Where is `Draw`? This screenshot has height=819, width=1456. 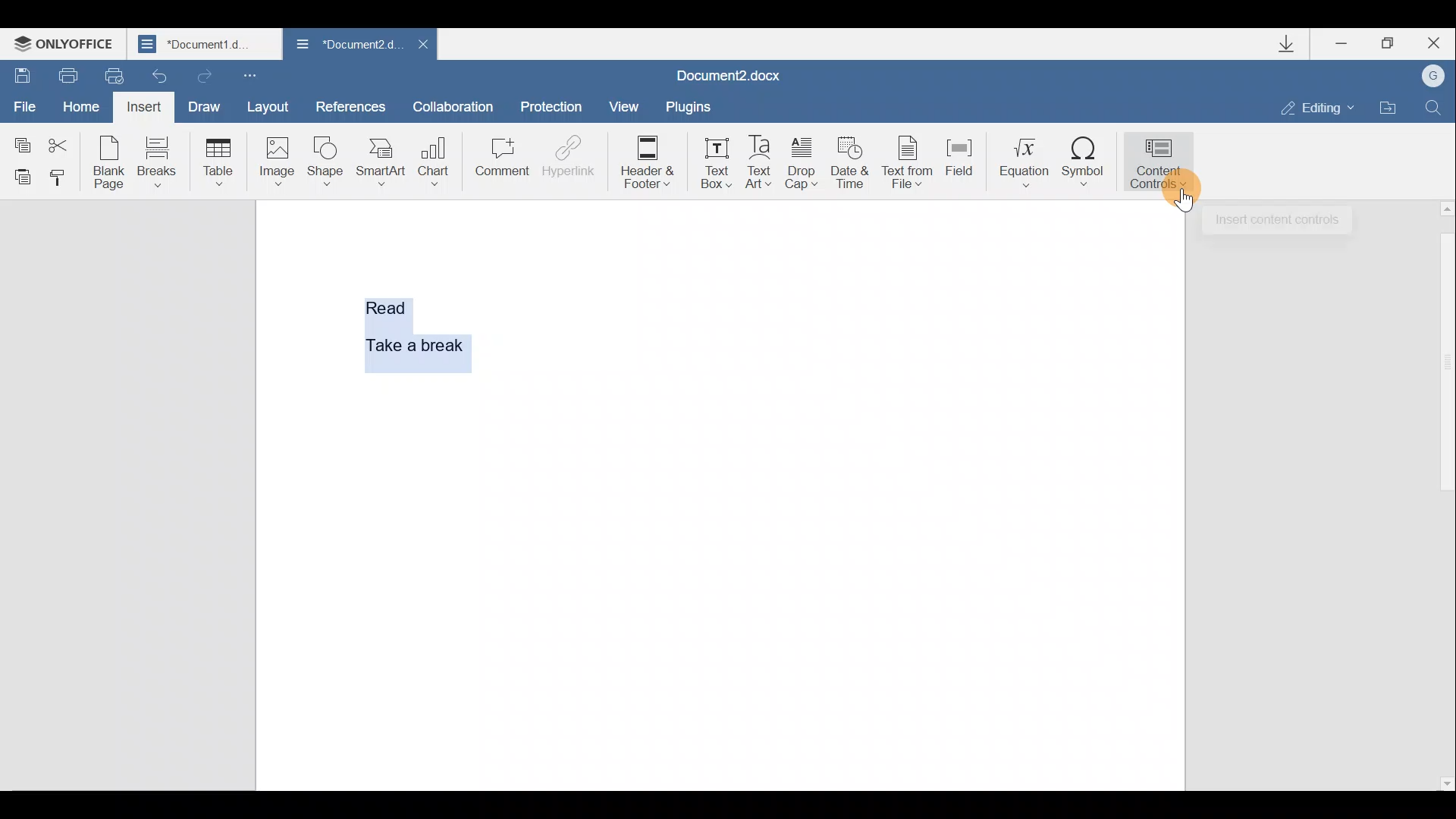 Draw is located at coordinates (206, 105).